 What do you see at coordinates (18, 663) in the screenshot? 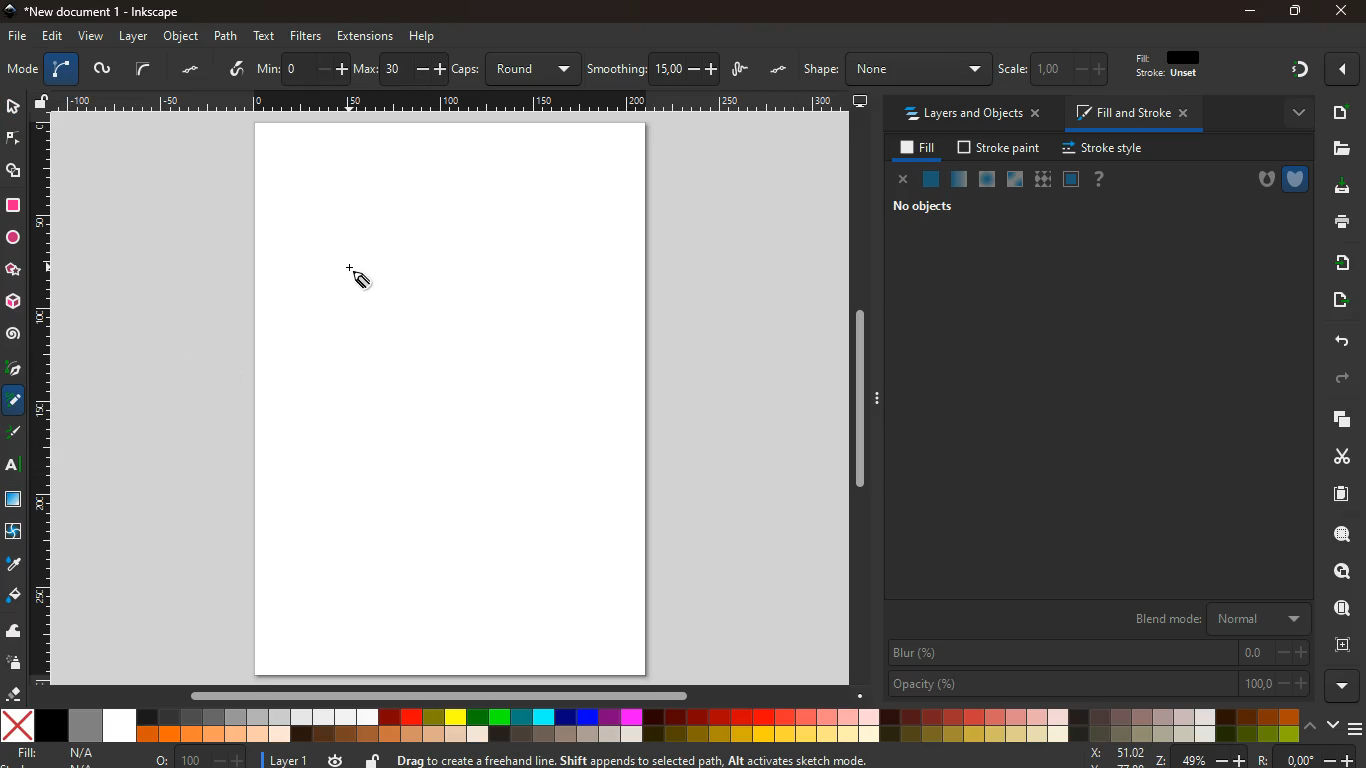
I see `spray` at bounding box center [18, 663].